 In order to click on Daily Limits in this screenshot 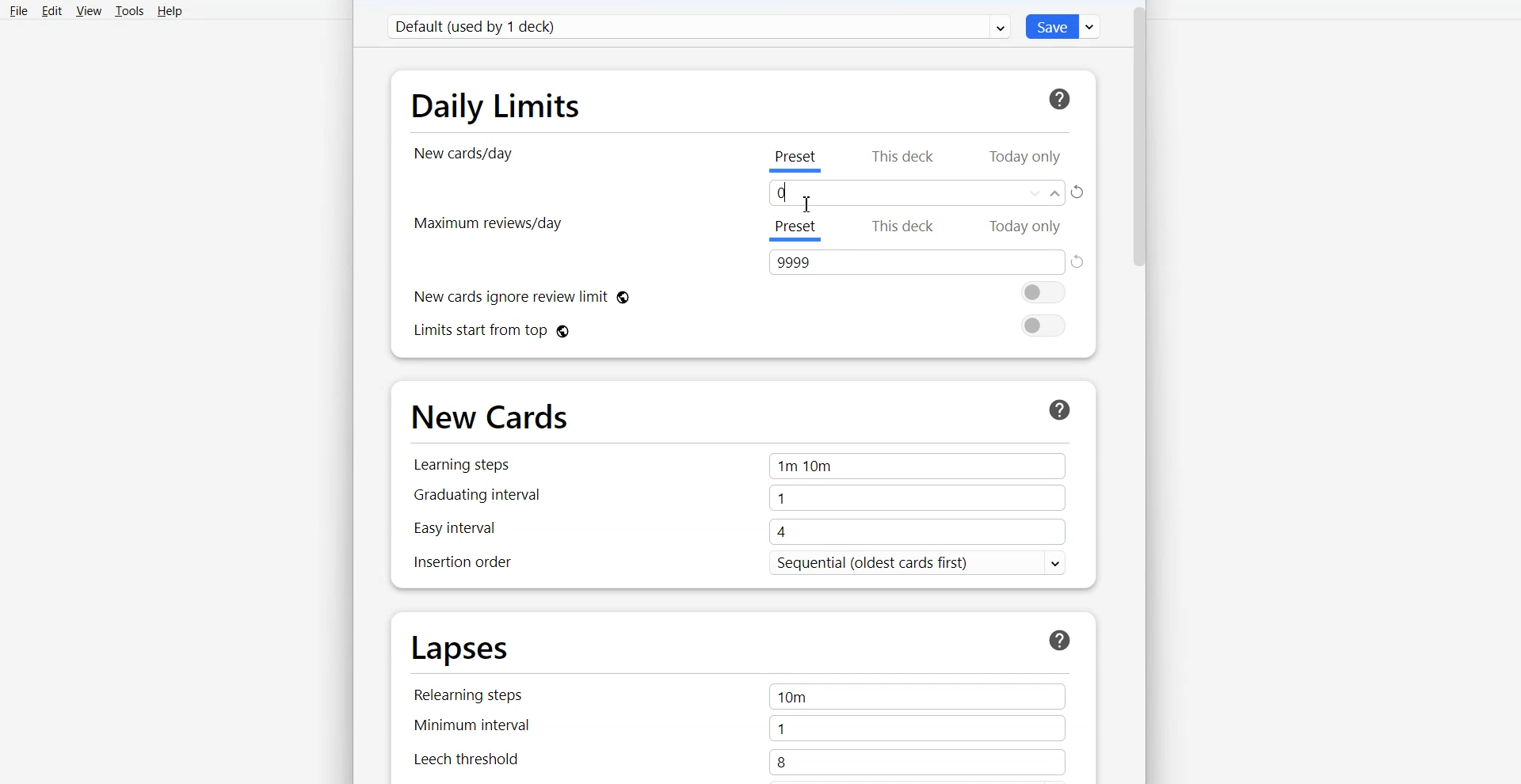, I will do `click(495, 103)`.